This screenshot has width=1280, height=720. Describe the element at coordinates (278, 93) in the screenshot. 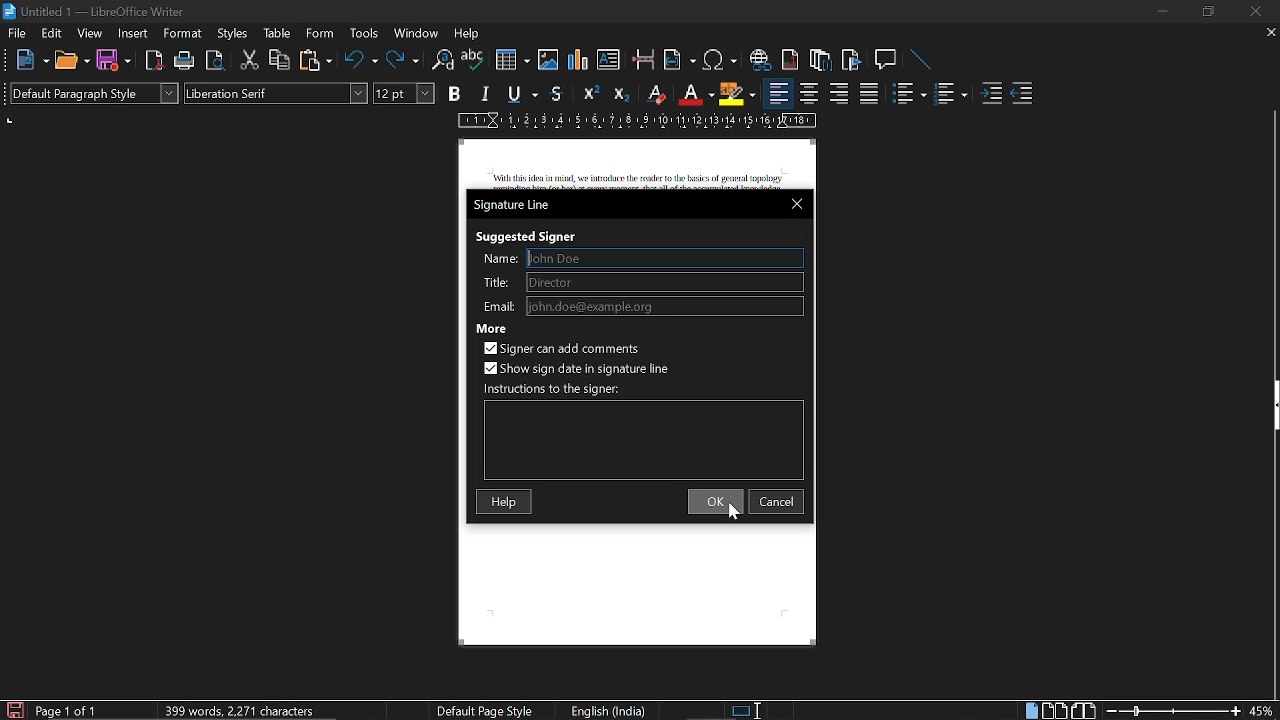

I see `text style` at that location.